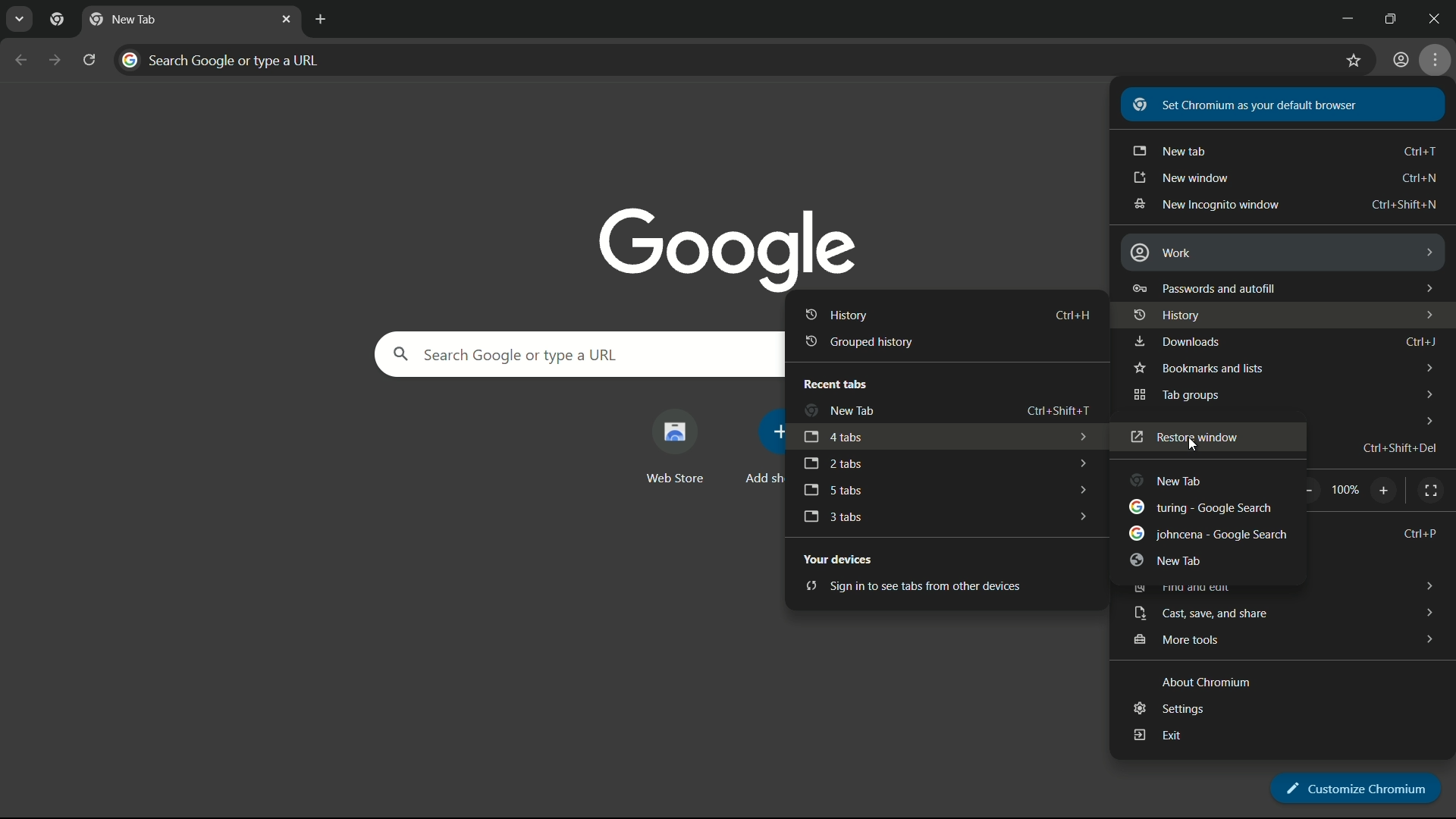 The height and width of the screenshot is (819, 1456). I want to click on dropdown arrows, so click(1081, 438).